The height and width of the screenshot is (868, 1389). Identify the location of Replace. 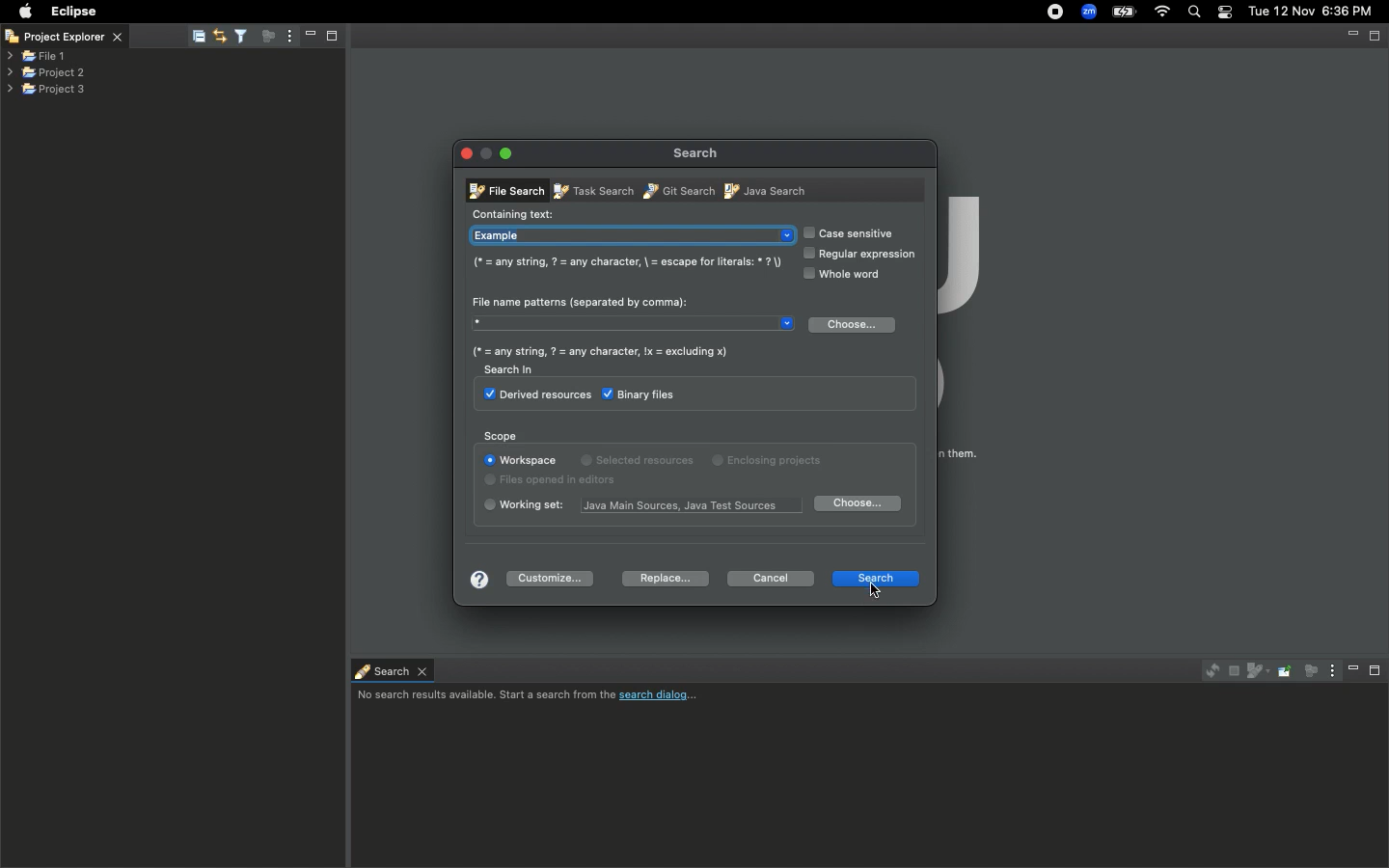
(666, 577).